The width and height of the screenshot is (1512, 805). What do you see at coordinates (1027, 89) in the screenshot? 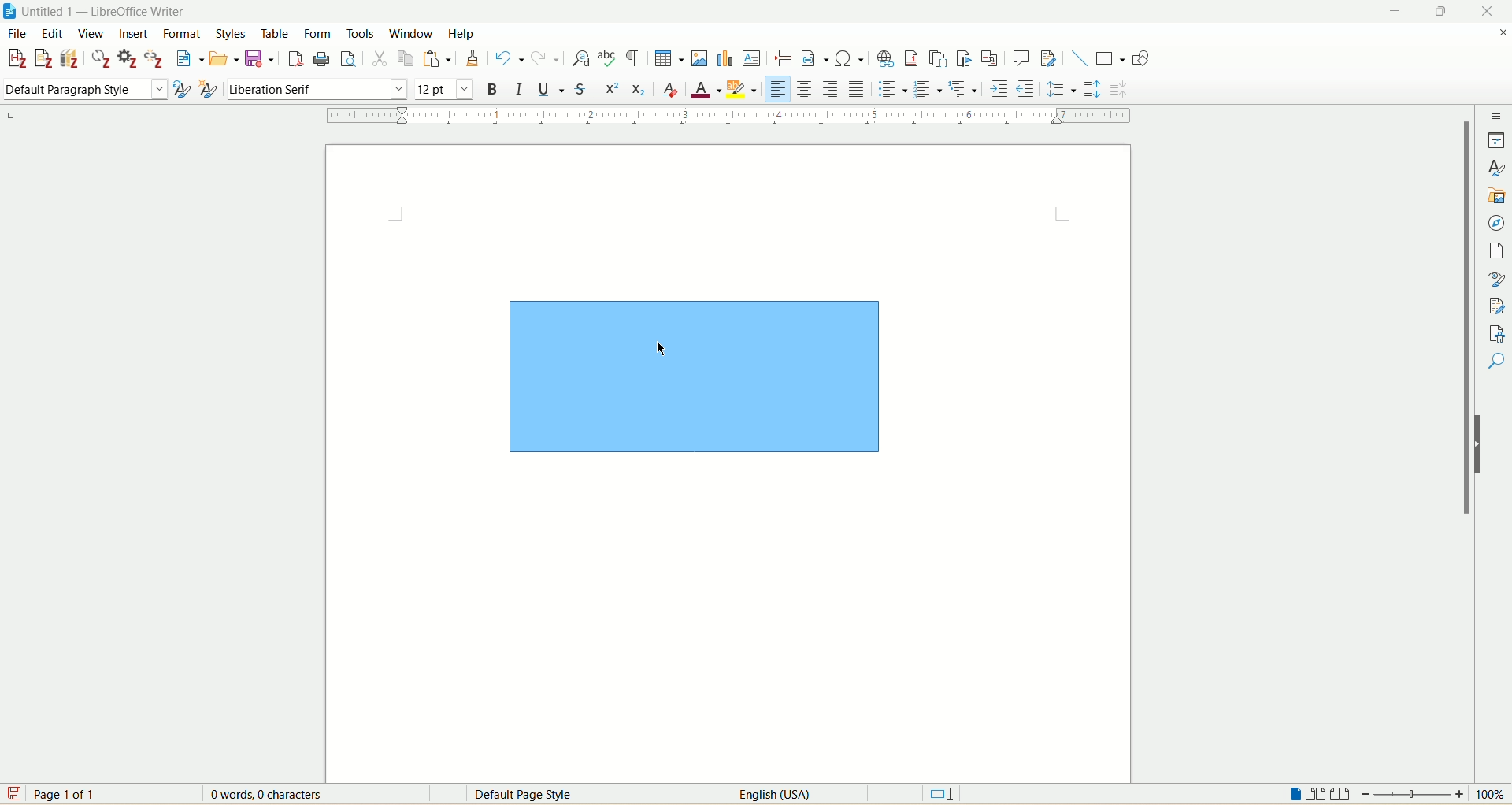
I see `decrease indent` at bounding box center [1027, 89].